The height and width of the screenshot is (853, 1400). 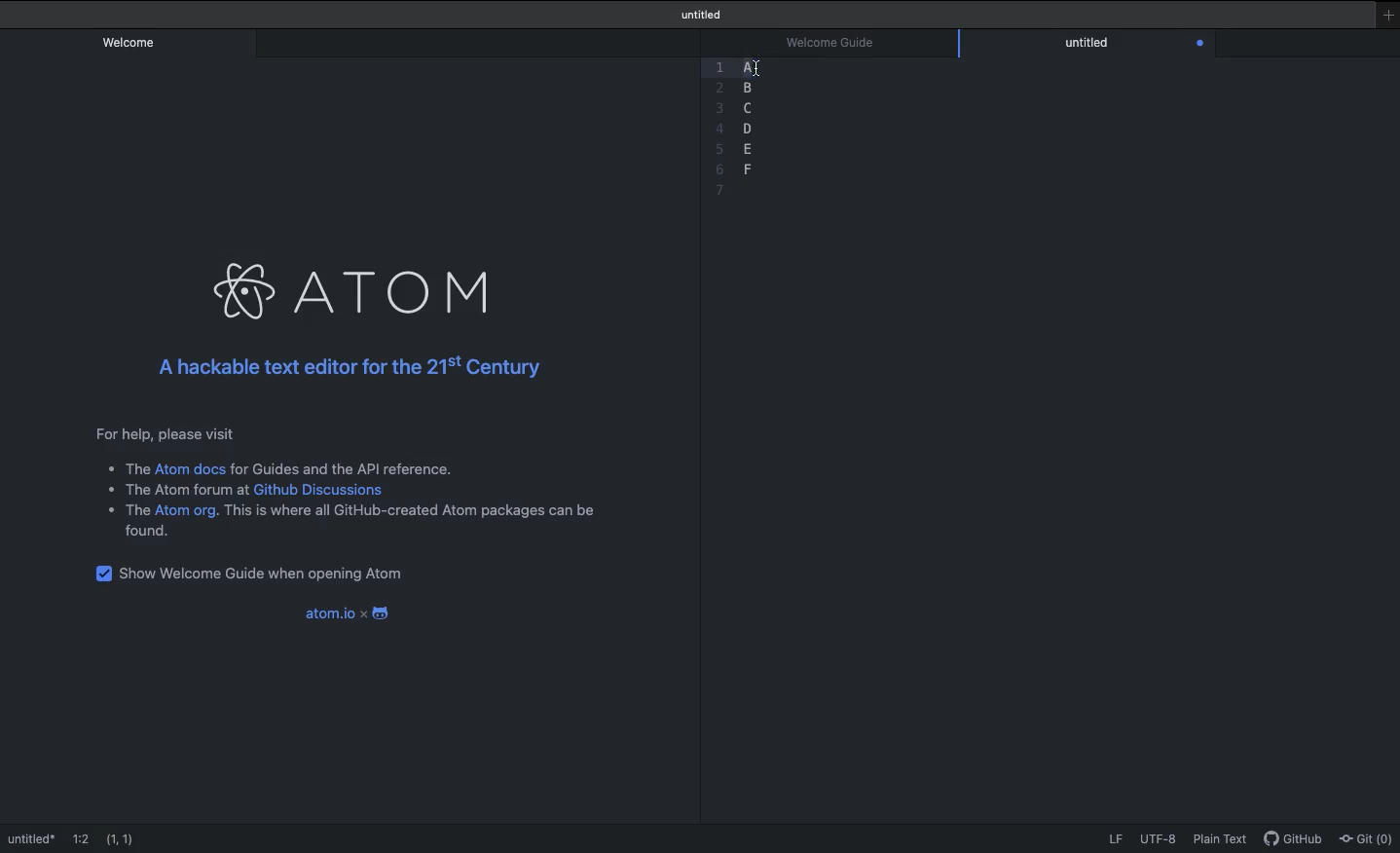 I want to click on Selection, so click(x=792, y=66).